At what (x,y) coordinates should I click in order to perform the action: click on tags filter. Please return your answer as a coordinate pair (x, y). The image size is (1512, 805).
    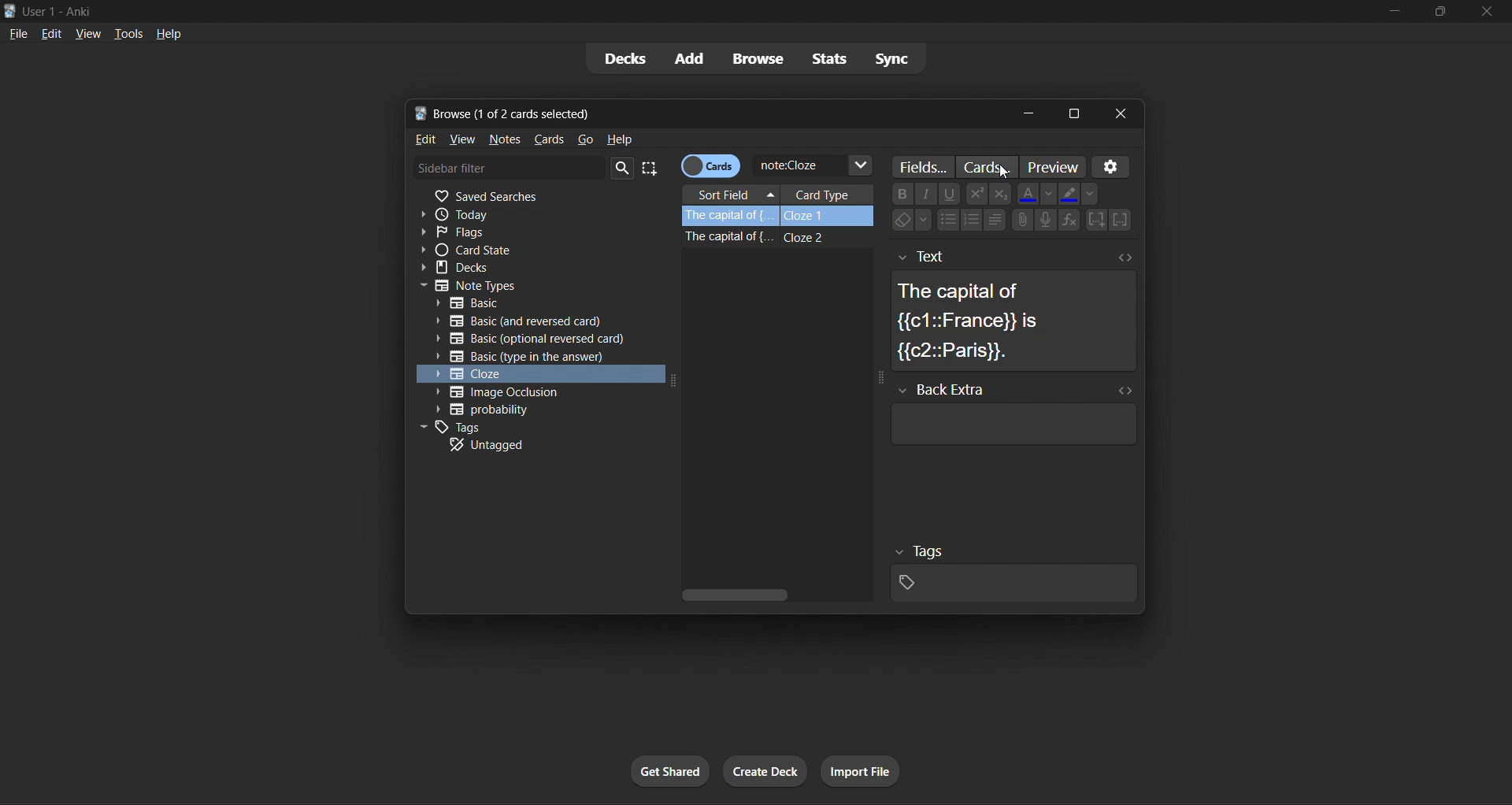
    Looking at the image, I should click on (528, 426).